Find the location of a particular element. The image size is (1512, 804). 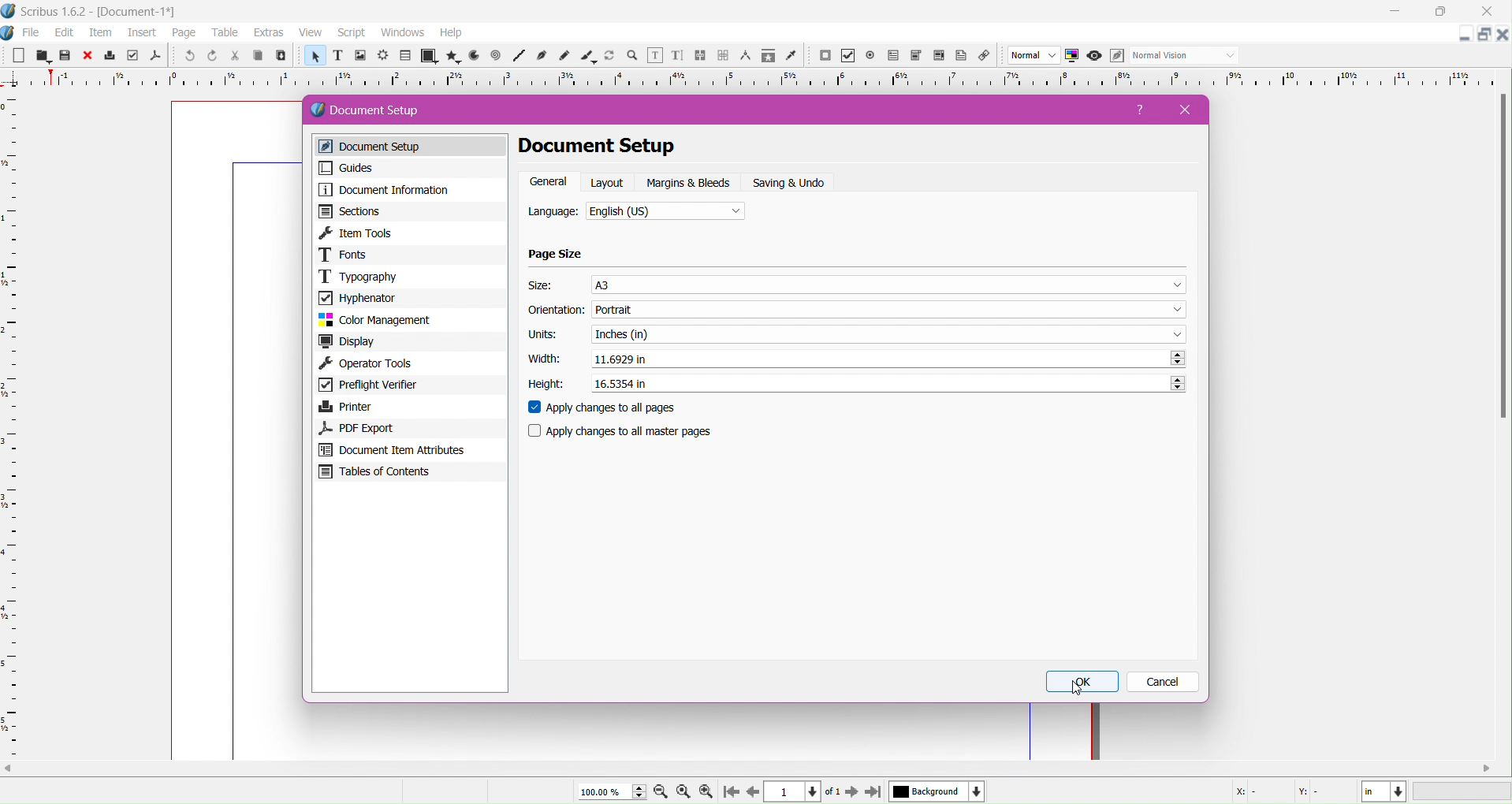

visual appearance of the display is located at coordinates (1183, 56).